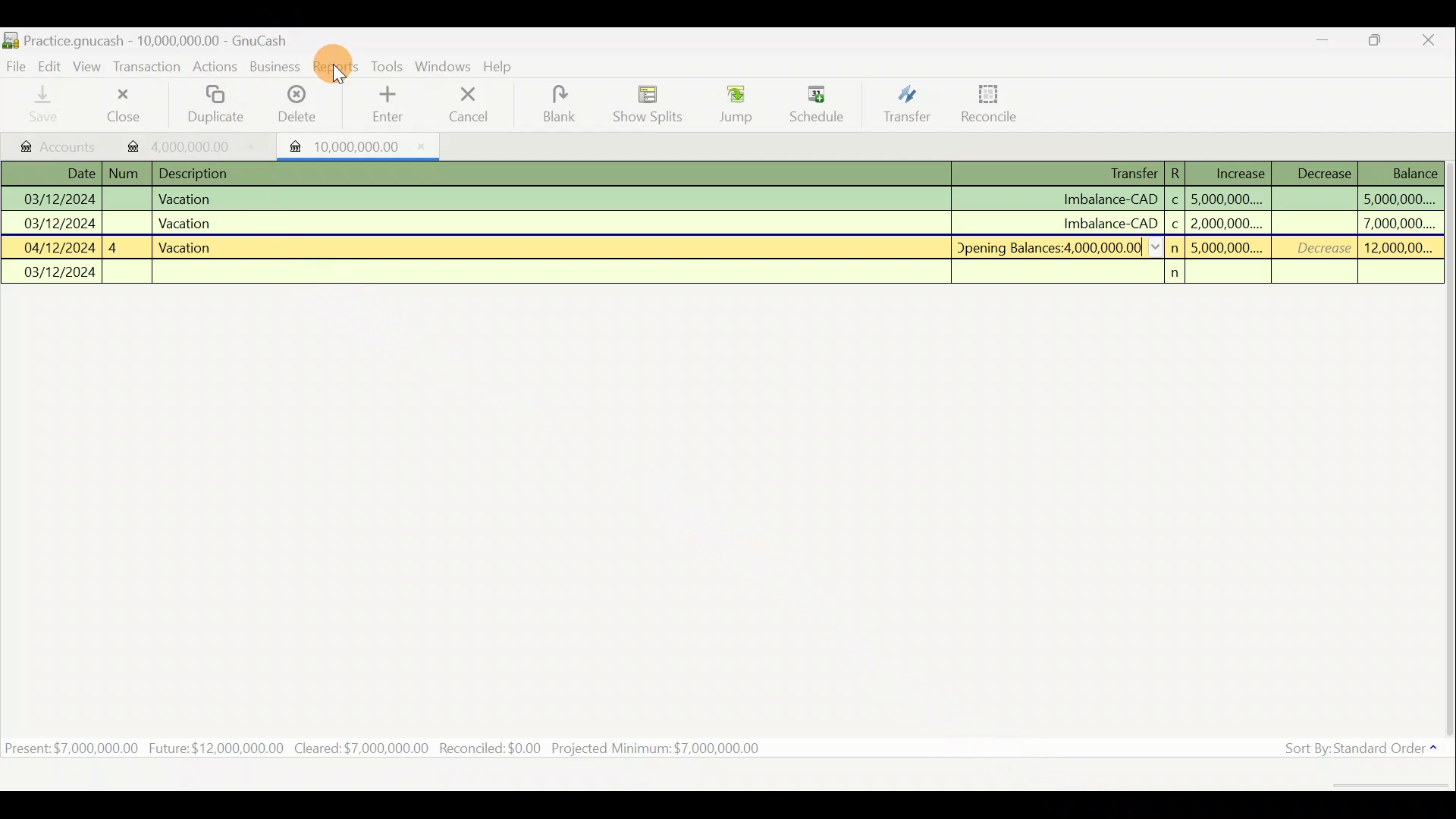 Image resolution: width=1456 pixels, height=819 pixels. Describe the element at coordinates (1414, 173) in the screenshot. I see `Balance` at that location.